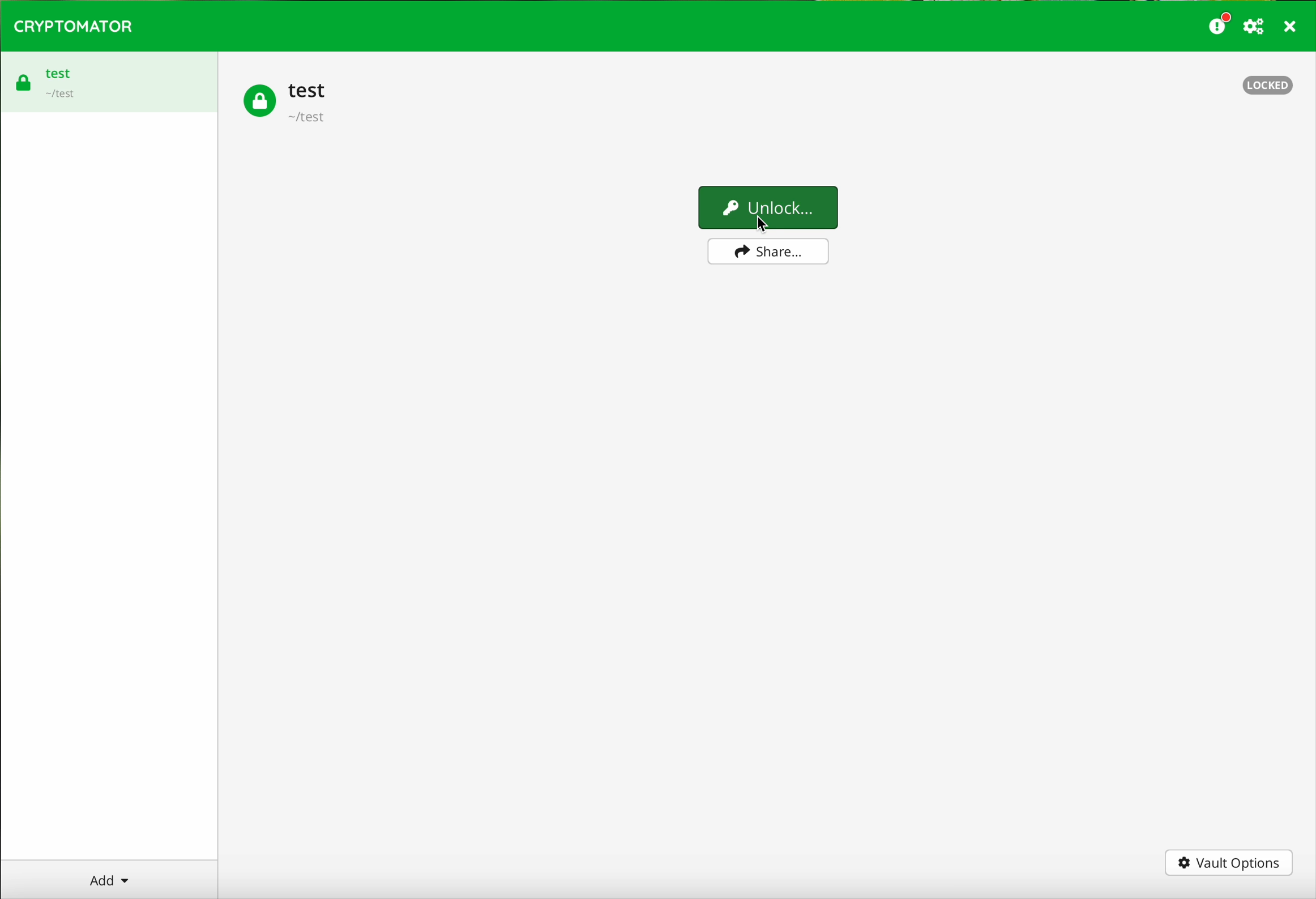 The height and width of the screenshot is (899, 1316). I want to click on Add, so click(111, 876).